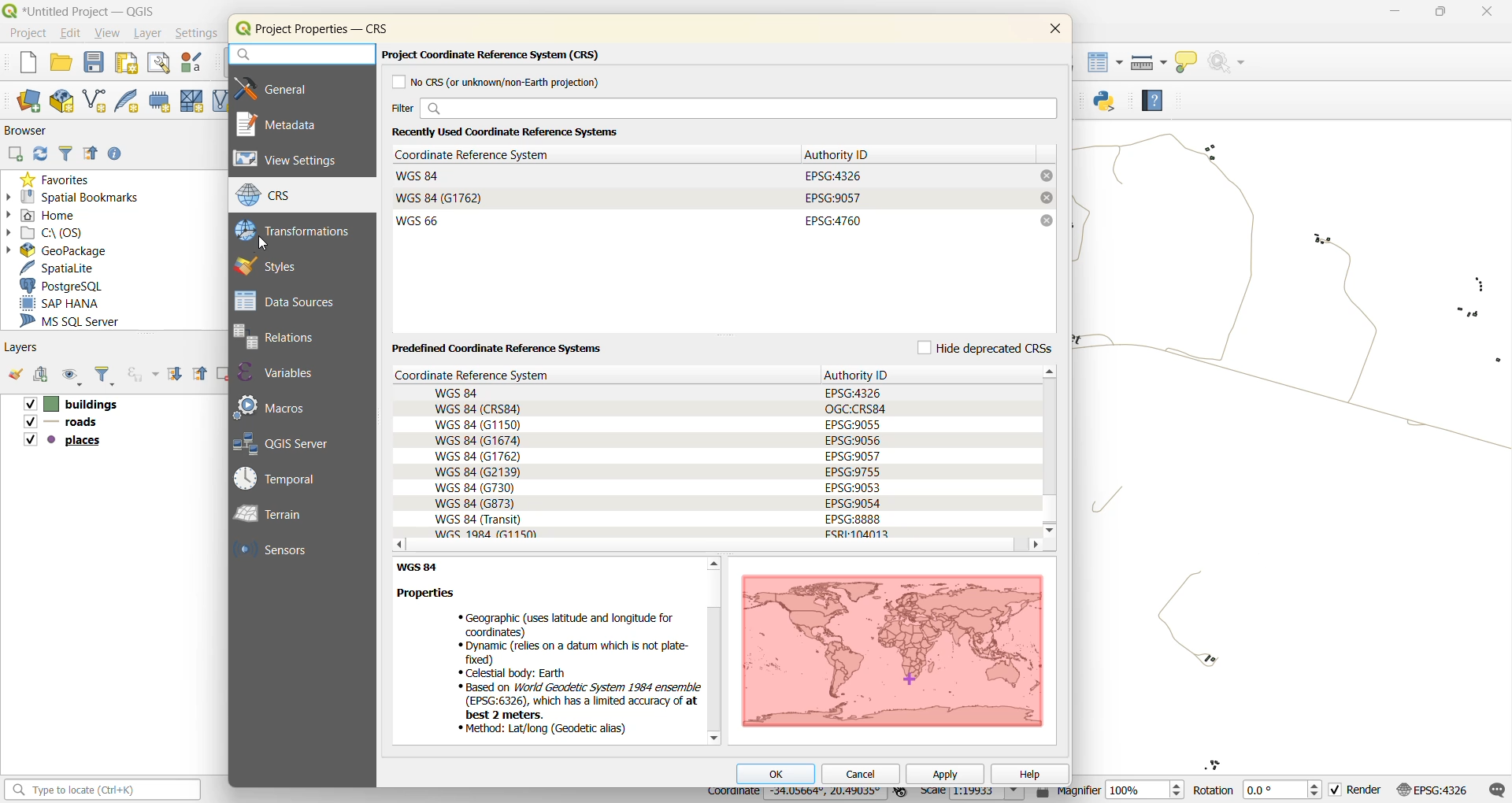 Image resolution: width=1512 pixels, height=803 pixels. I want to click on search bar, so click(105, 790).